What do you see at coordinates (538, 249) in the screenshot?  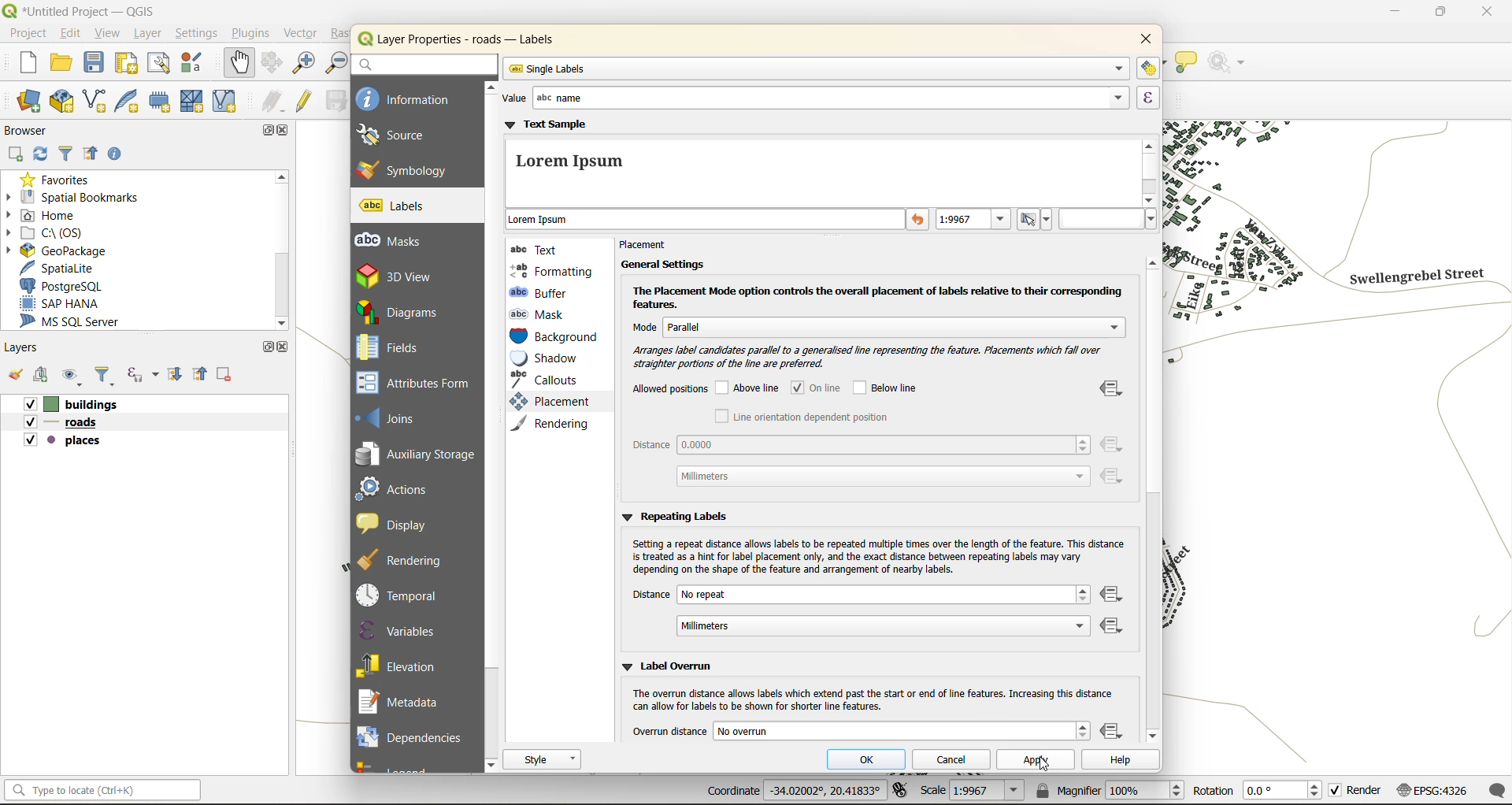 I see `text` at bounding box center [538, 249].